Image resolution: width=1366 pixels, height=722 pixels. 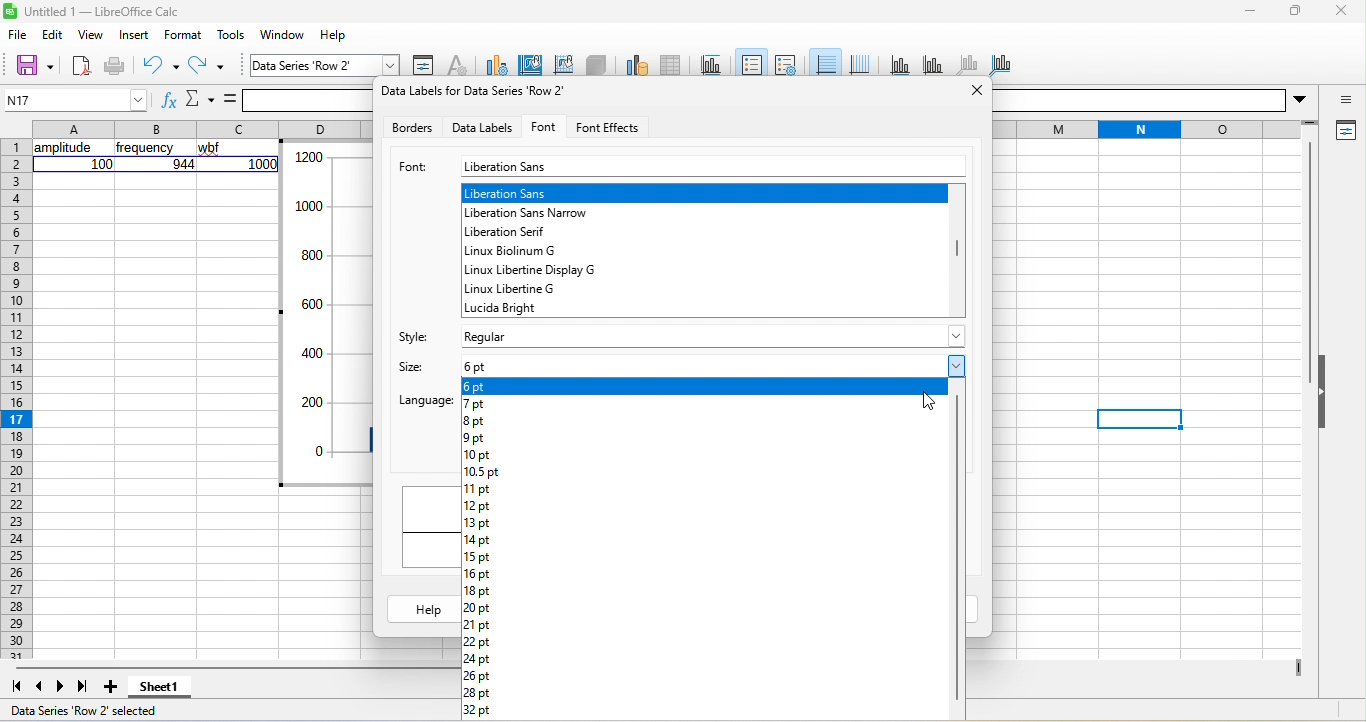 What do you see at coordinates (410, 127) in the screenshot?
I see `borders` at bounding box center [410, 127].